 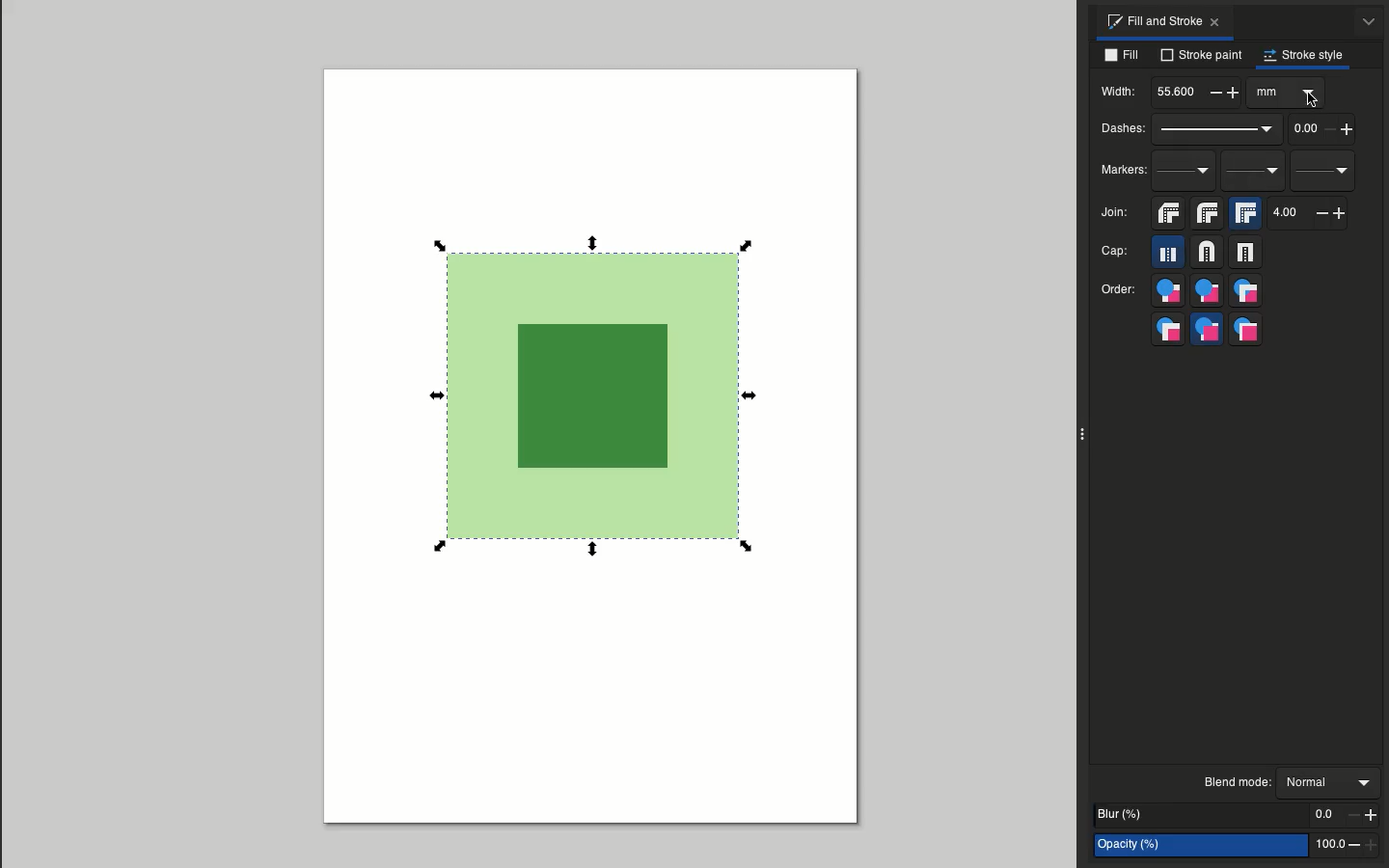 What do you see at coordinates (1307, 214) in the screenshot?
I see `4.0` at bounding box center [1307, 214].